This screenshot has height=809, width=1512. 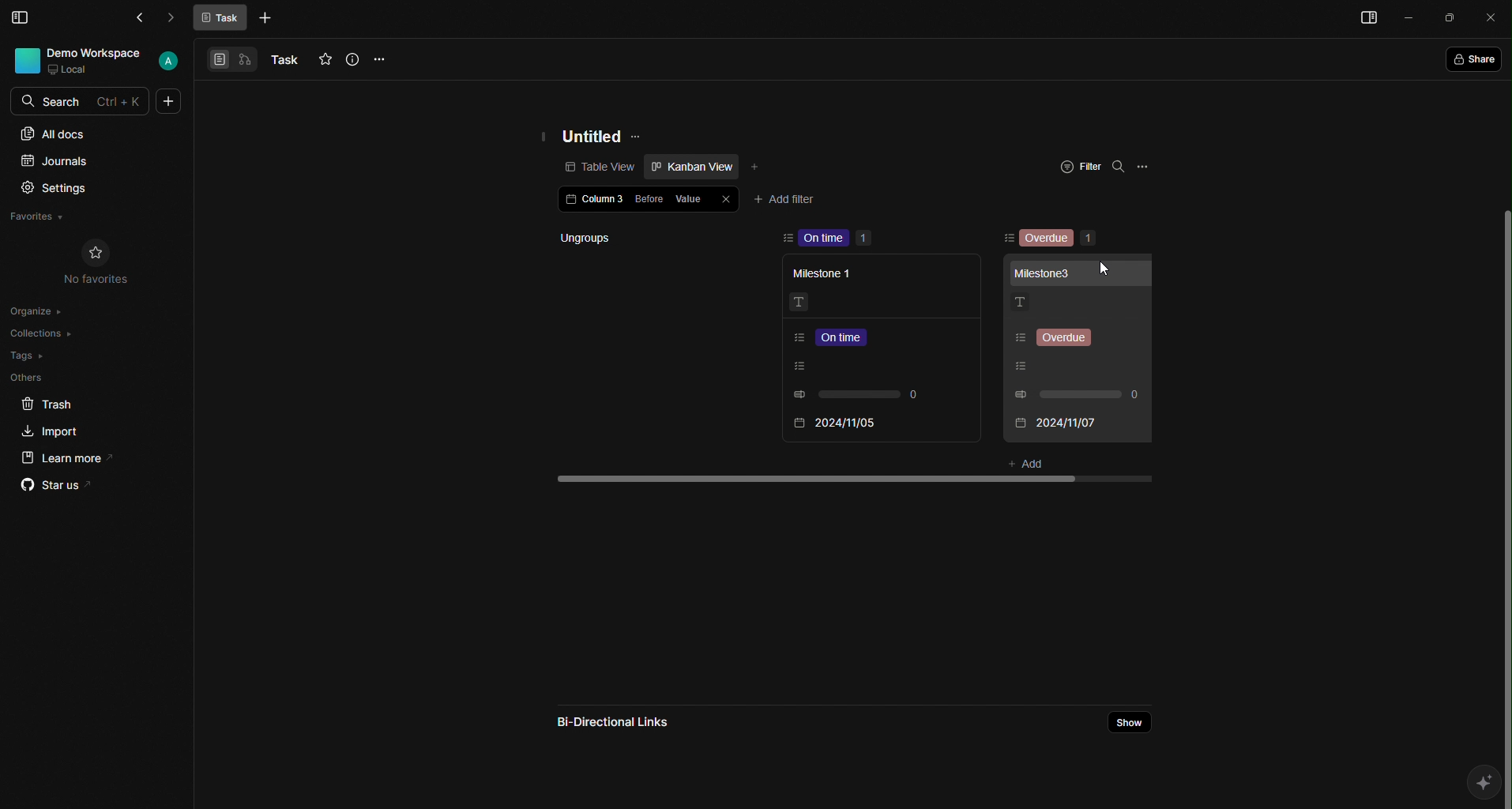 What do you see at coordinates (1081, 393) in the screenshot?
I see `0` at bounding box center [1081, 393].